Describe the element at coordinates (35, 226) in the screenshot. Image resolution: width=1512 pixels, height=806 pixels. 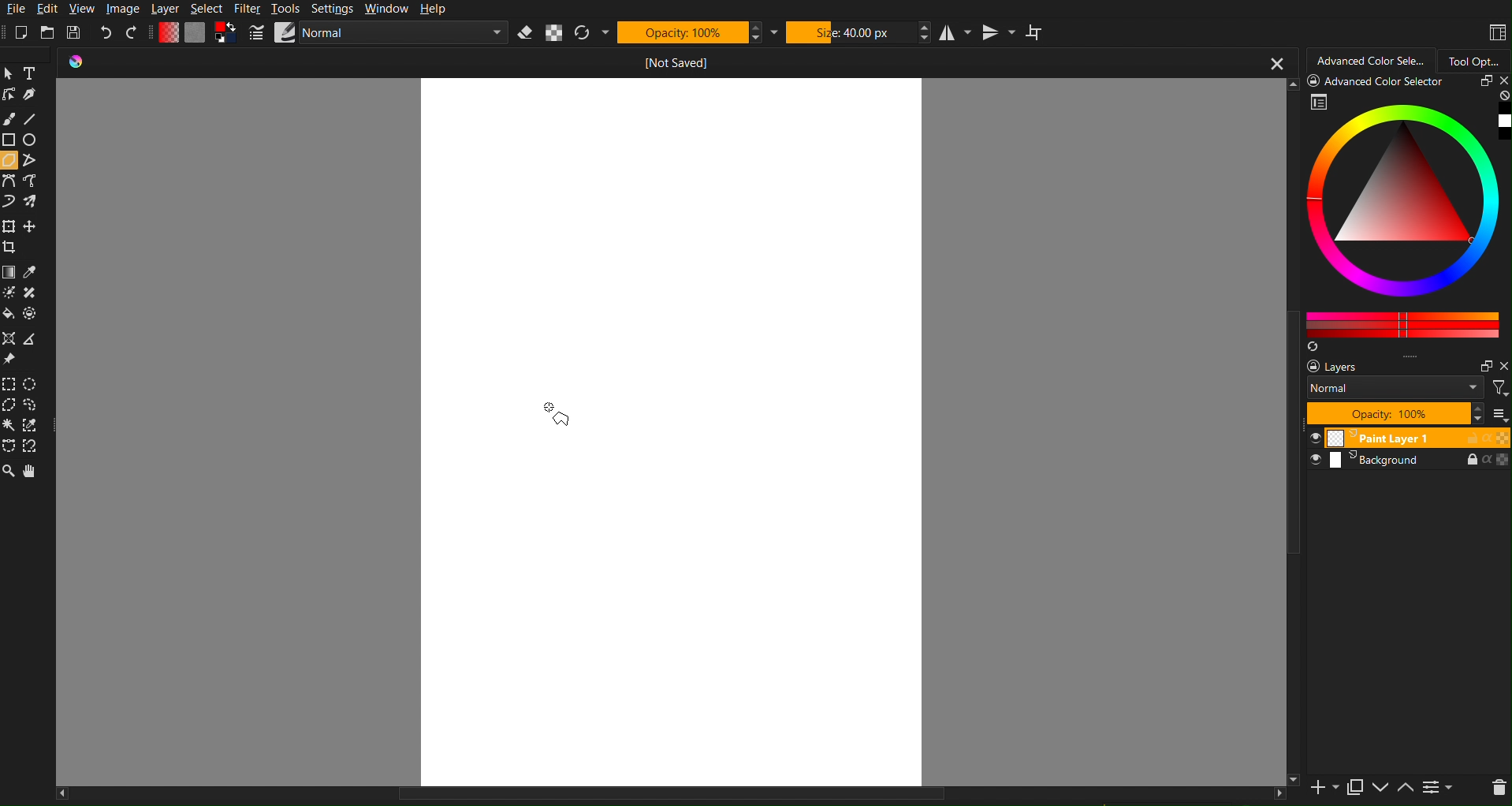
I see `move a layer` at that location.